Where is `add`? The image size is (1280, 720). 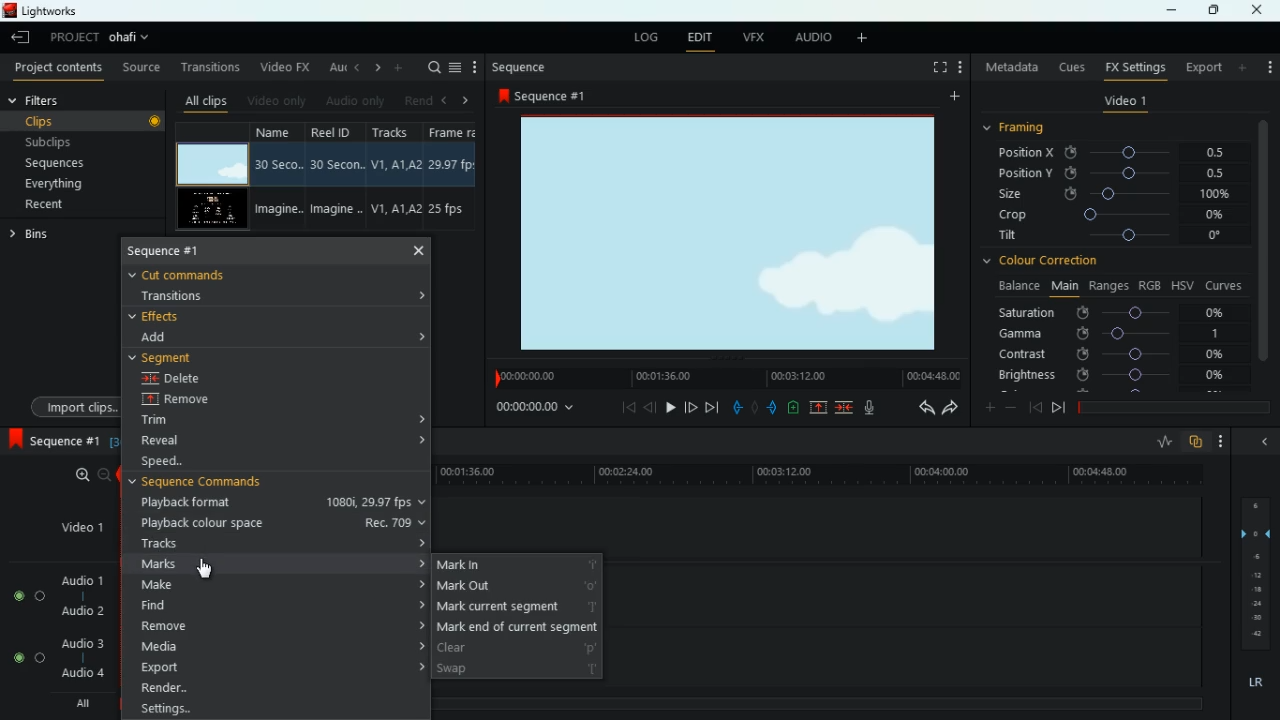 add is located at coordinates (859, 39).